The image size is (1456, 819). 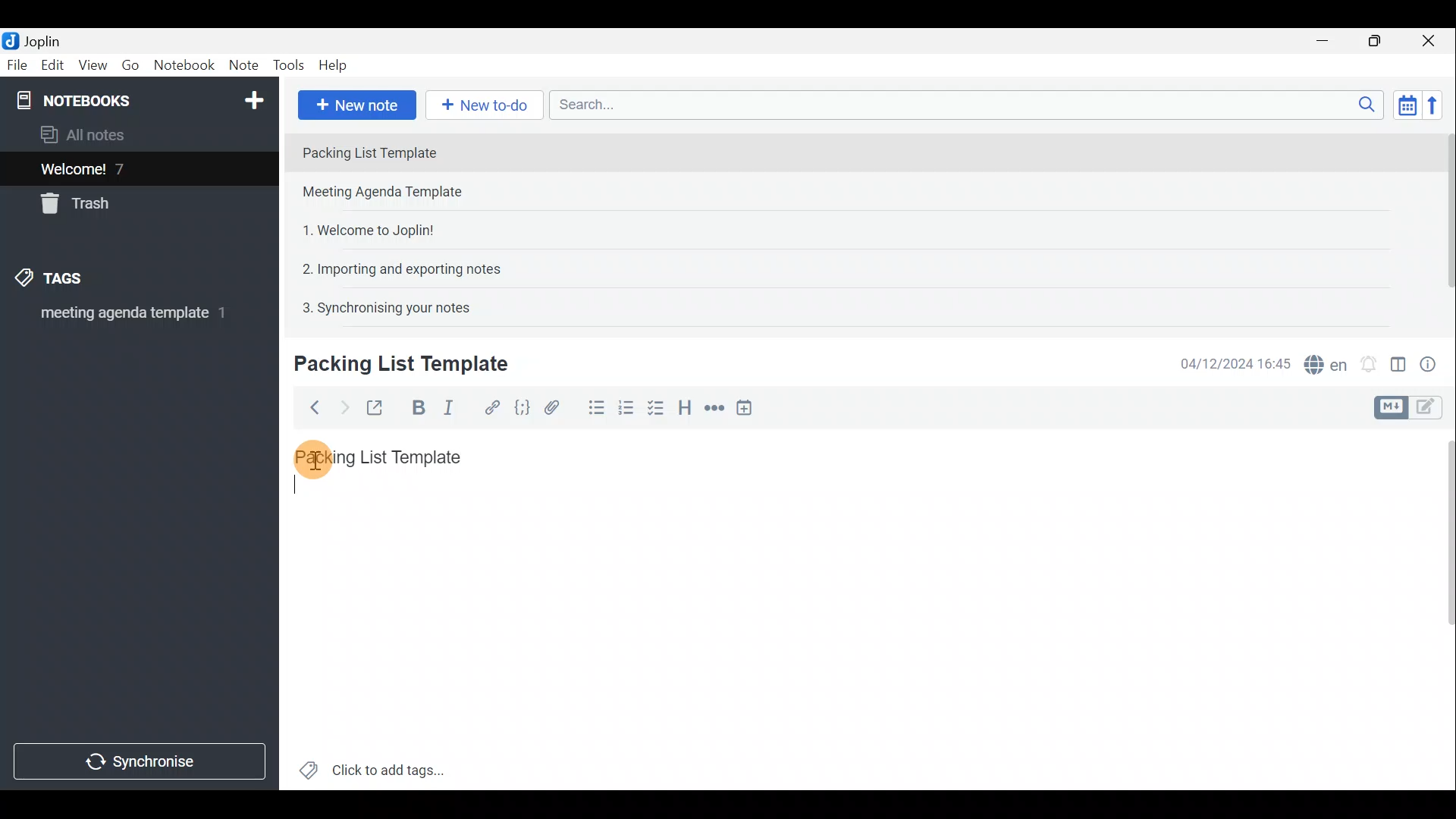 What do you see at coordinates (74, 281) in the screenshot?
I see `Tags` at bounding box center [74, 281].